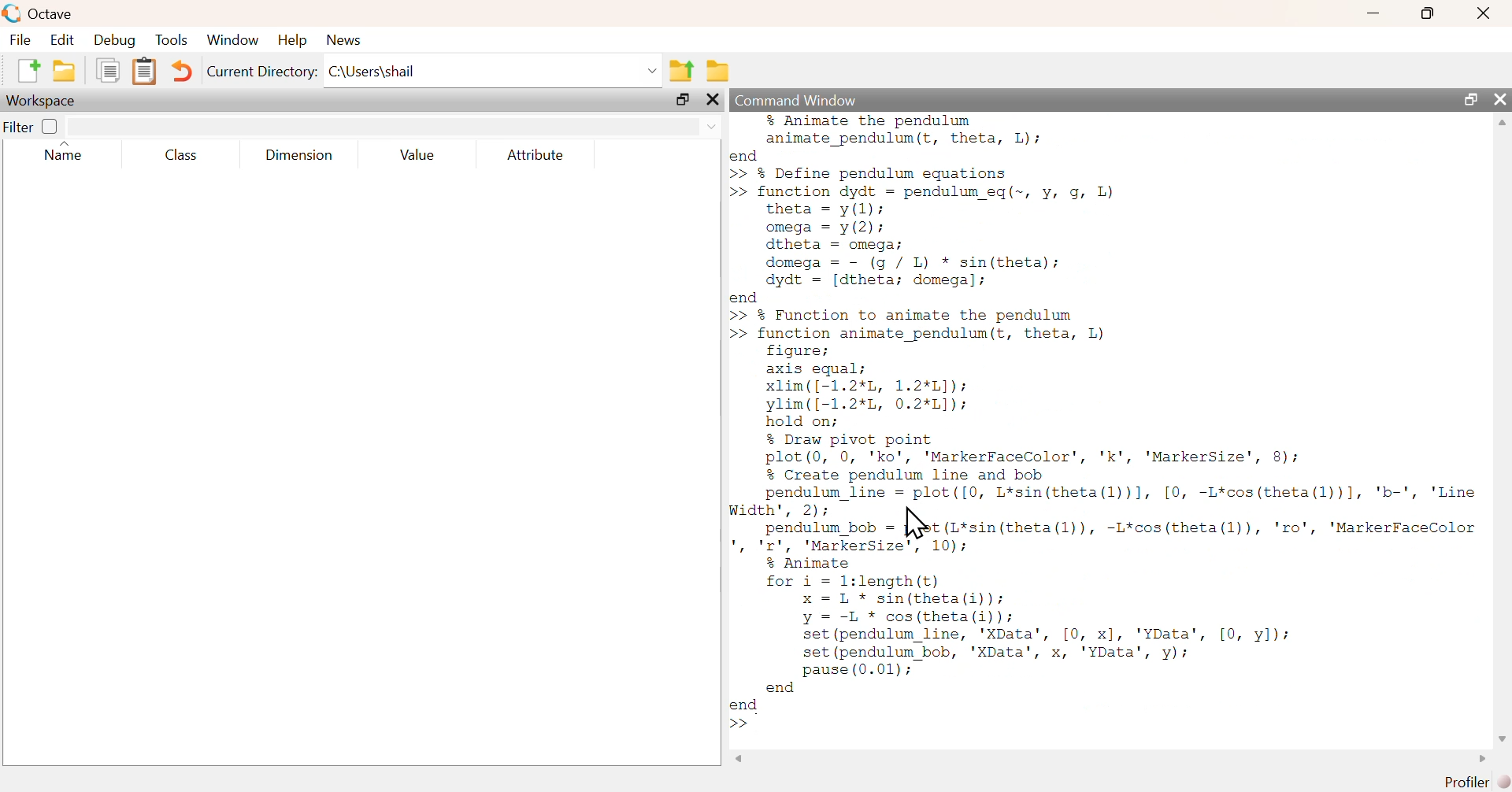 This screenshot has height=792, width=1512. Describe the element at coordinates (1472, 99) in the screenshot. I see `Maximize` at that location.